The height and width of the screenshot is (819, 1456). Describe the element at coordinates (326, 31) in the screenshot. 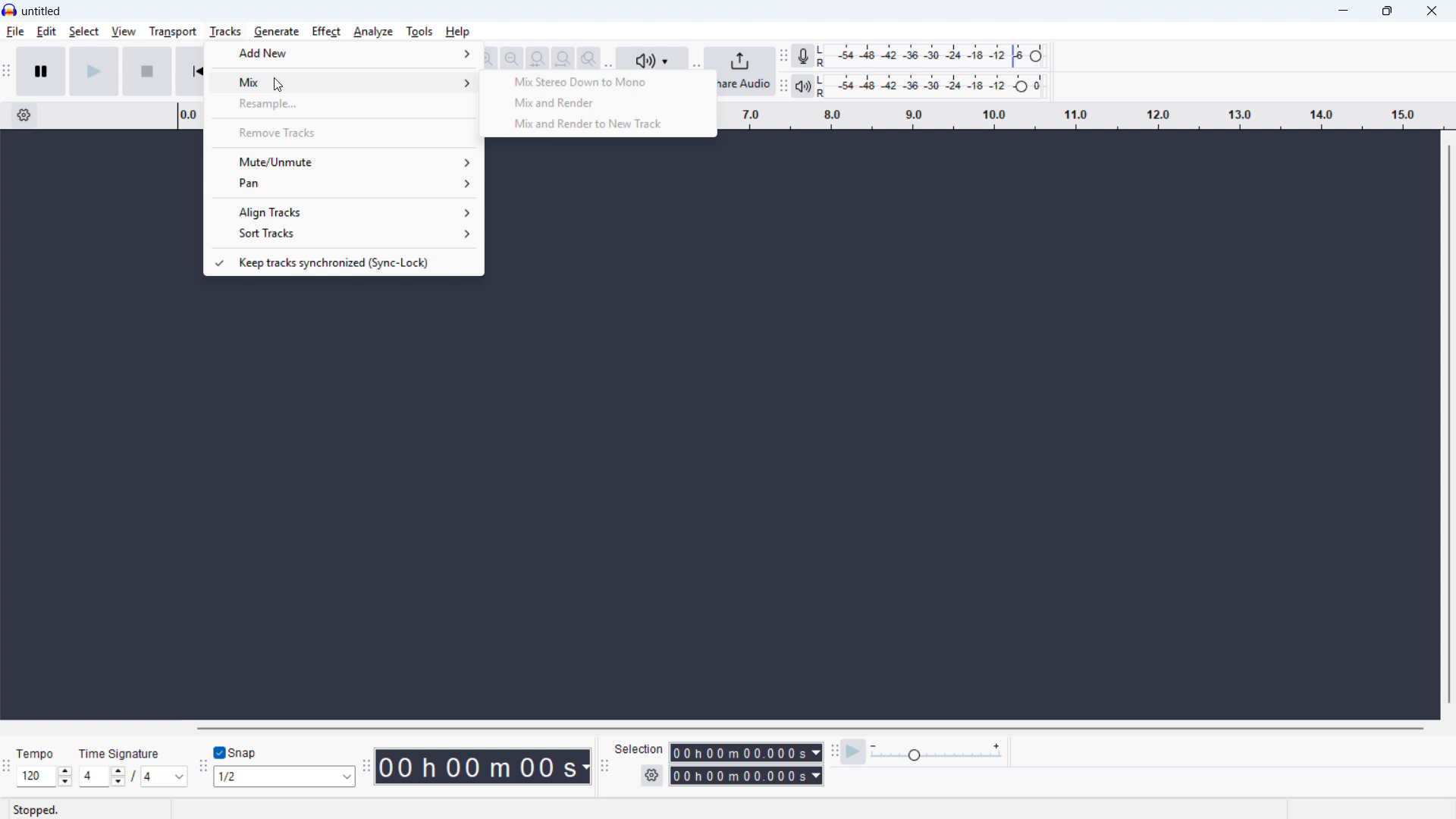

I see `Effect ` at that location.